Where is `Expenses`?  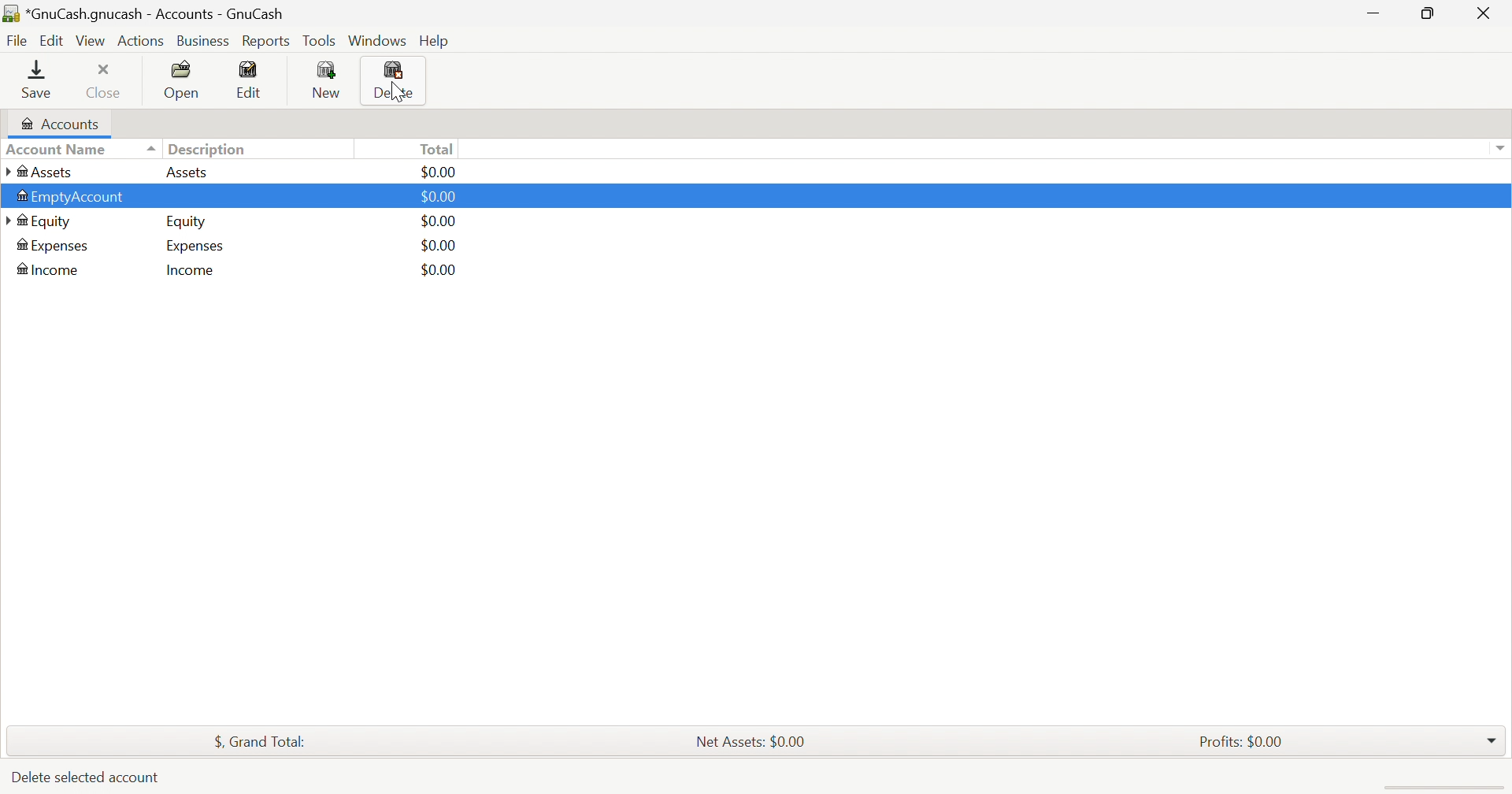
Expenses is located at coordinates (193, 247).